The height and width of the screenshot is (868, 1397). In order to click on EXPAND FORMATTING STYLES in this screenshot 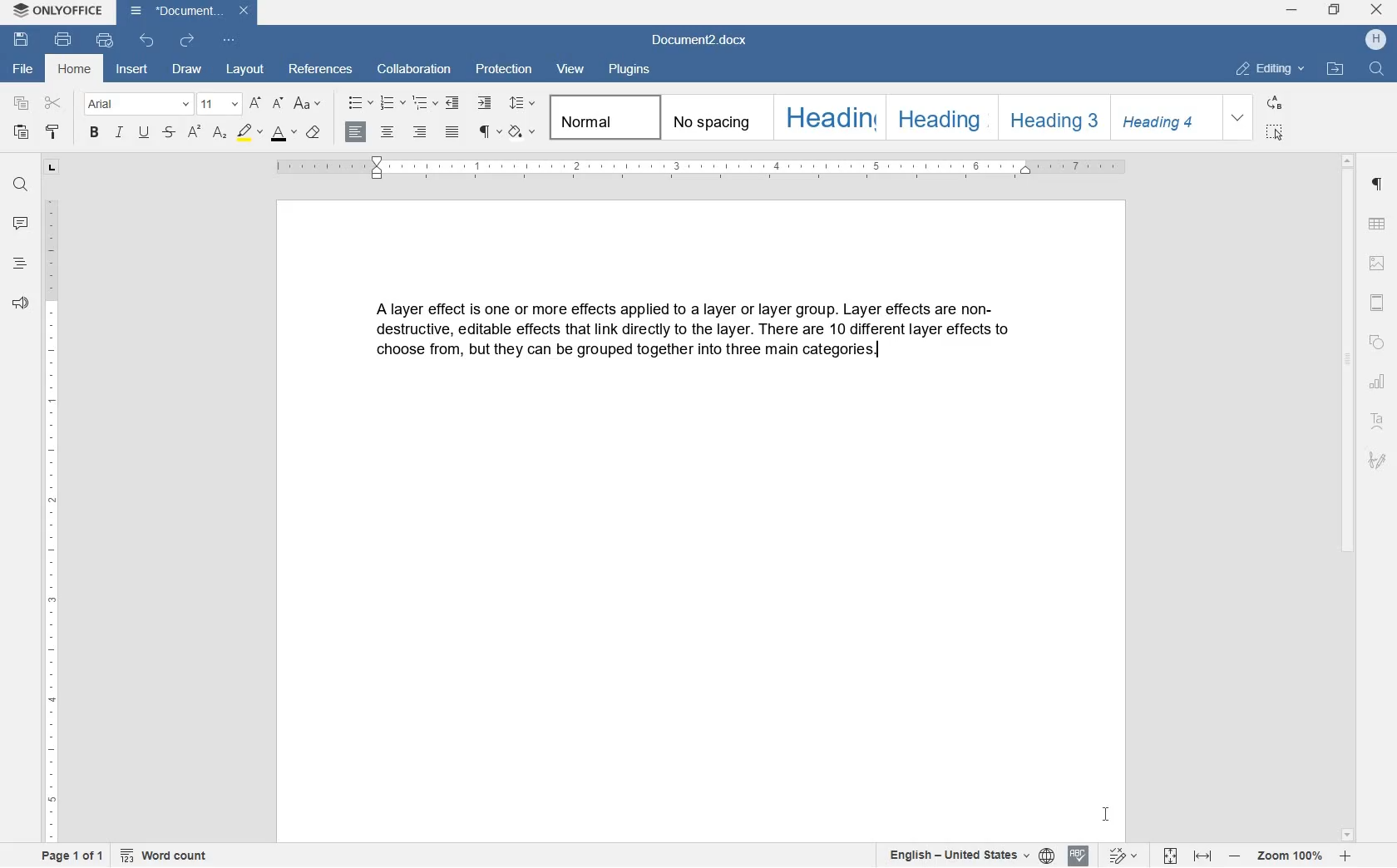, I will do `click(1237, 116)`.